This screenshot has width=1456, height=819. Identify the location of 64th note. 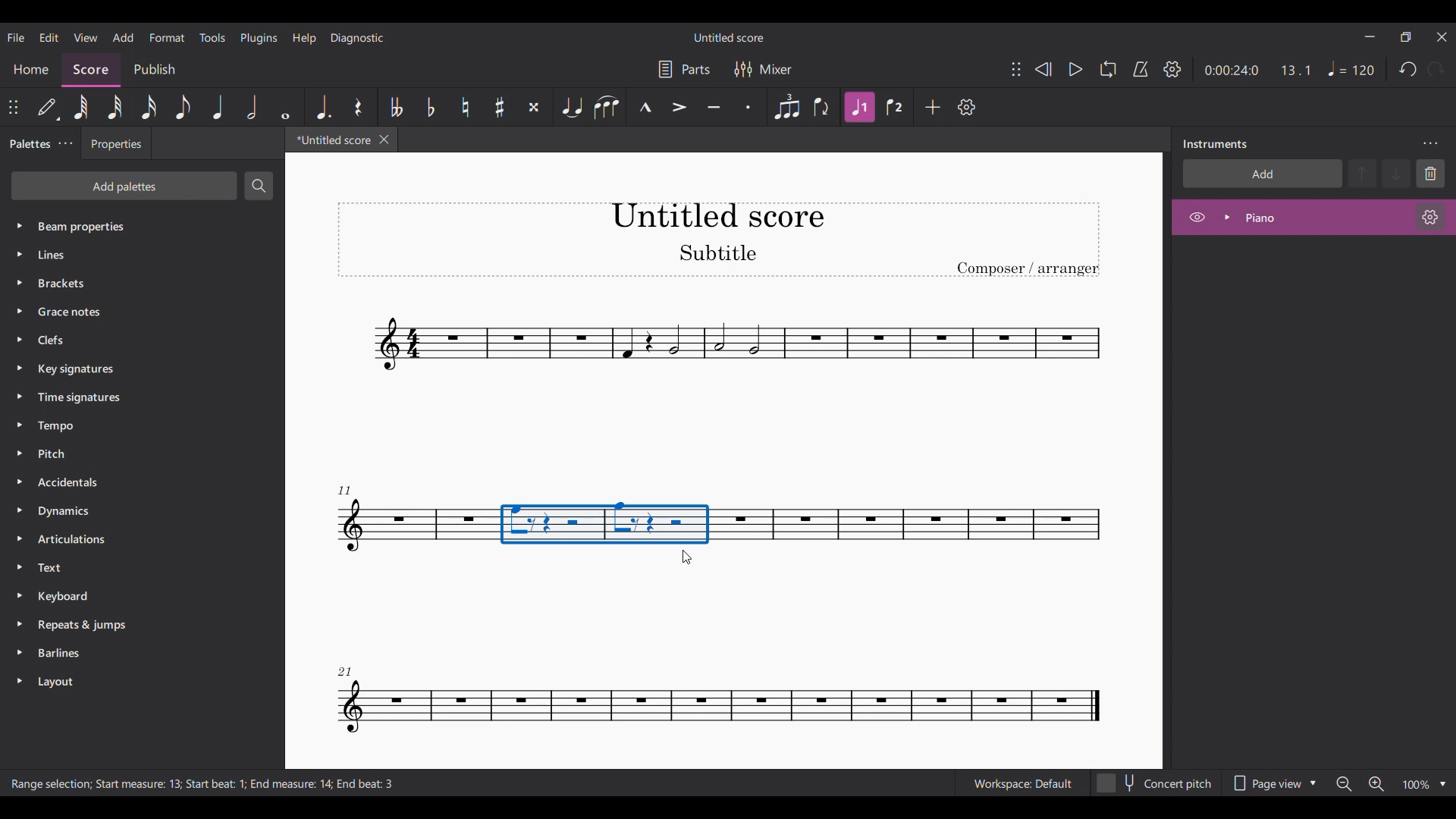
(81, 107).